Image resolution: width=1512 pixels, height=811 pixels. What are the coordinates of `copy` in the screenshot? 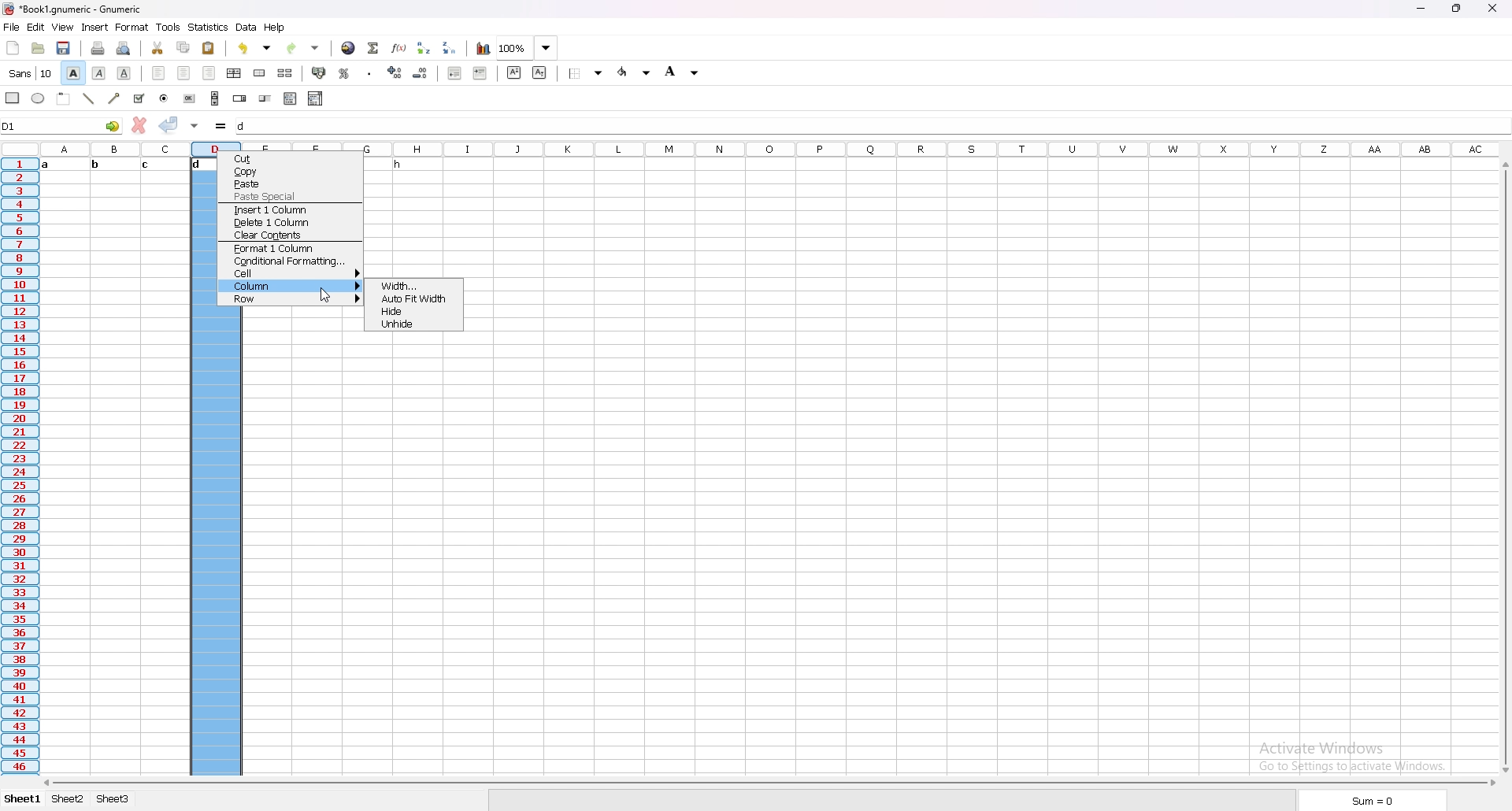 It's located at (184, 46).